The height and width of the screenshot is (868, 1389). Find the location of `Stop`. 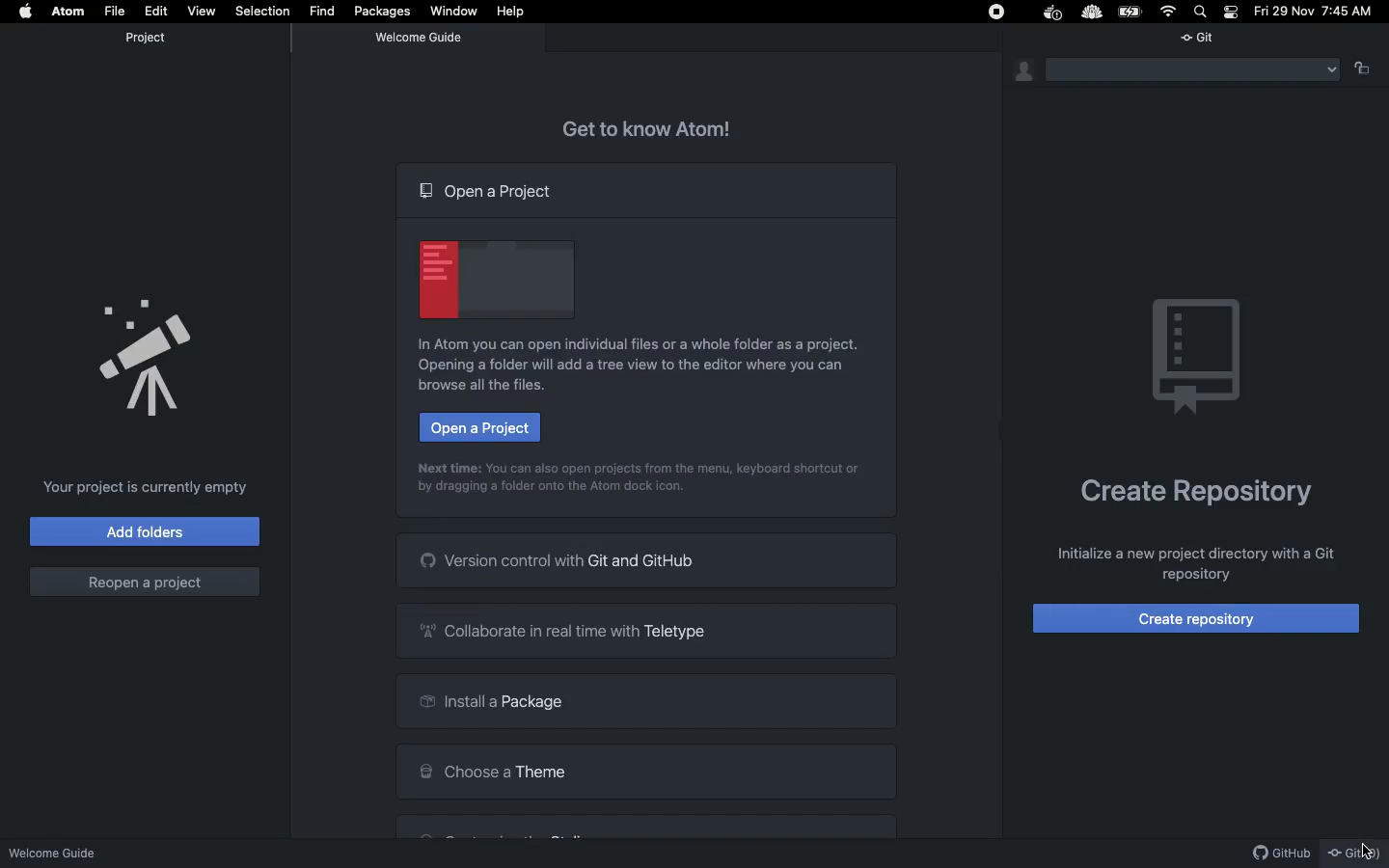

Stop is located at coordinates (994, 13).